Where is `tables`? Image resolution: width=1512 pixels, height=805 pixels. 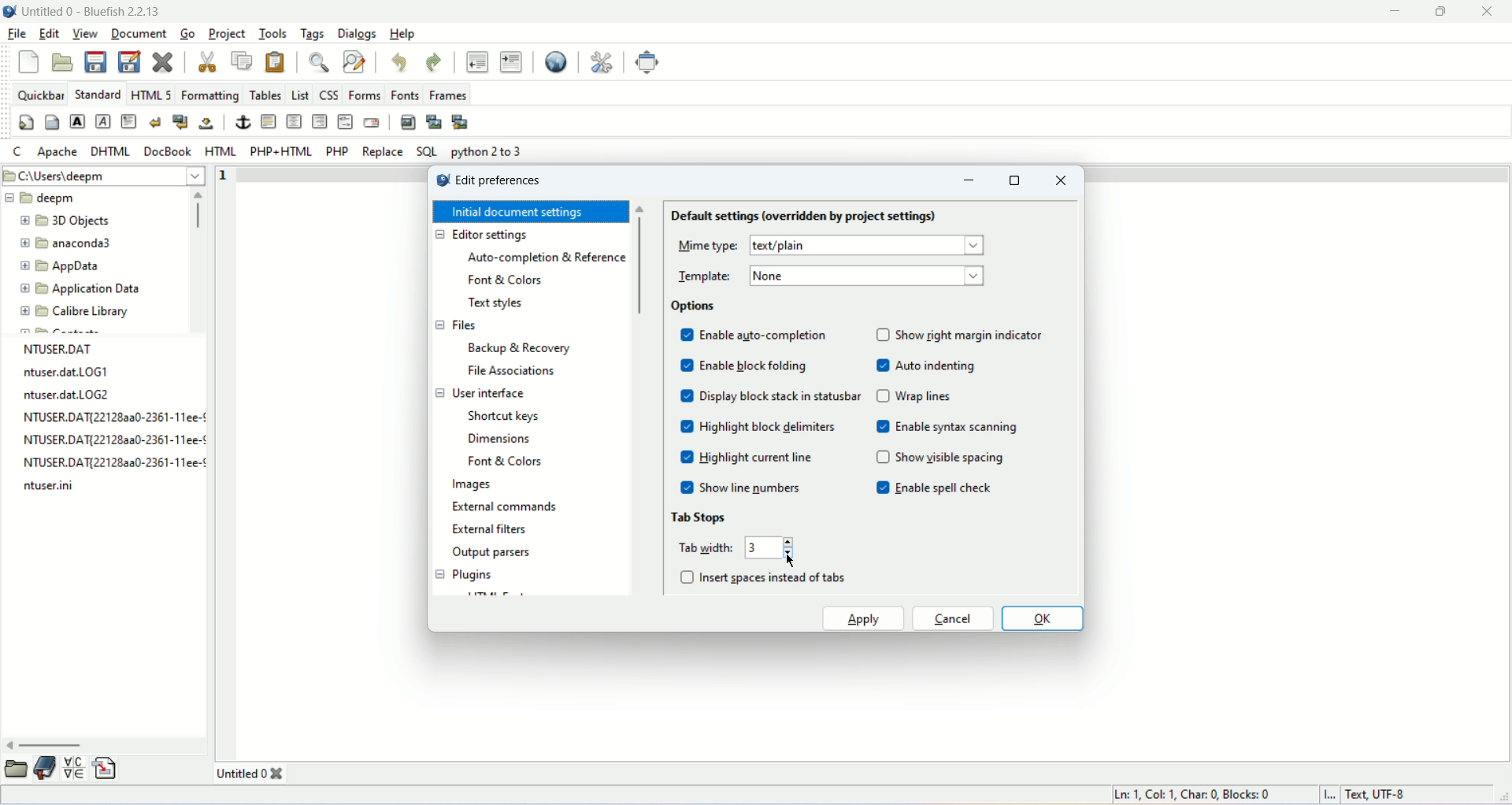 tables is located at coordinates (265, 94).